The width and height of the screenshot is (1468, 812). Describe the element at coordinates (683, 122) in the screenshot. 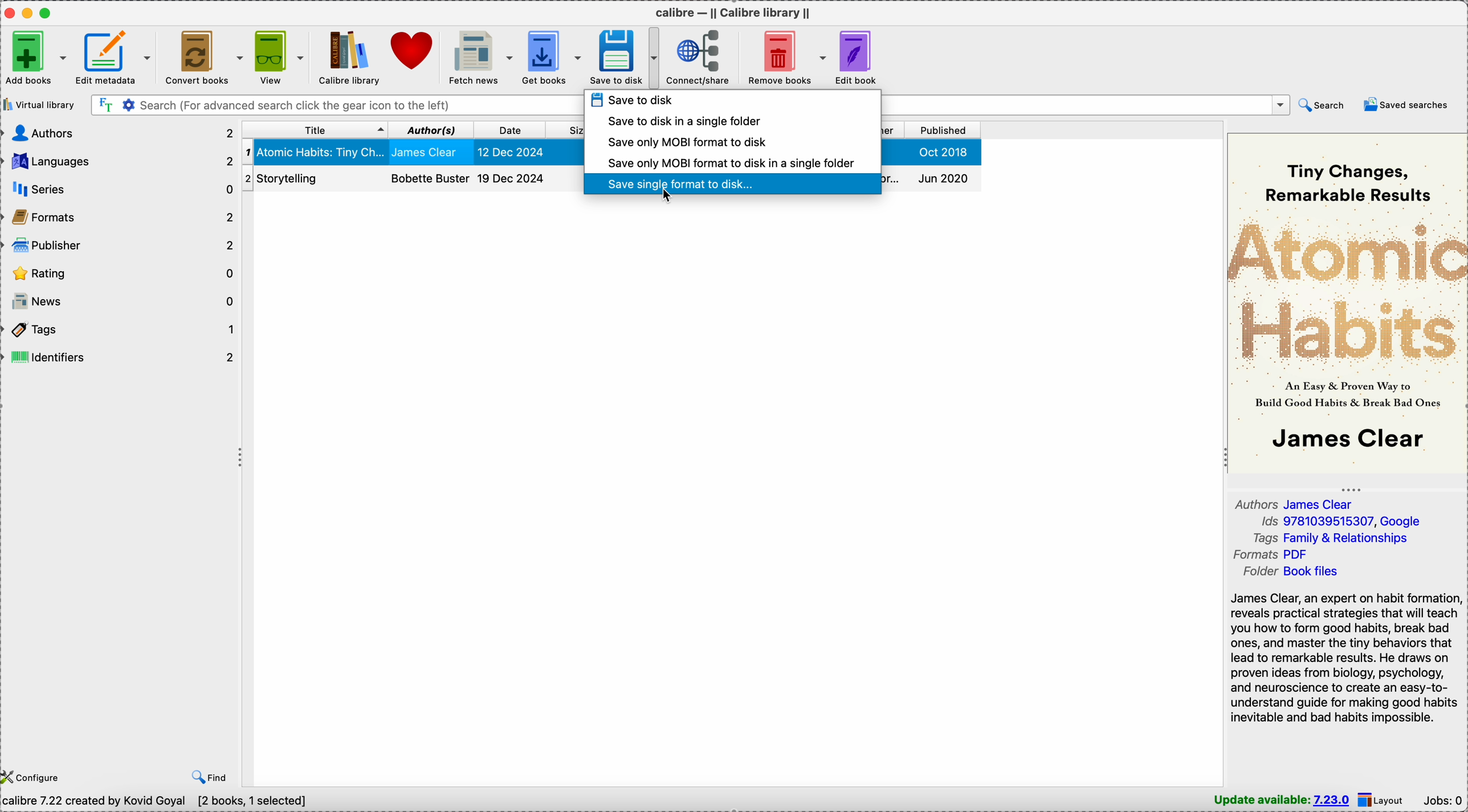

I see `save to disk in a single folder` at that location.